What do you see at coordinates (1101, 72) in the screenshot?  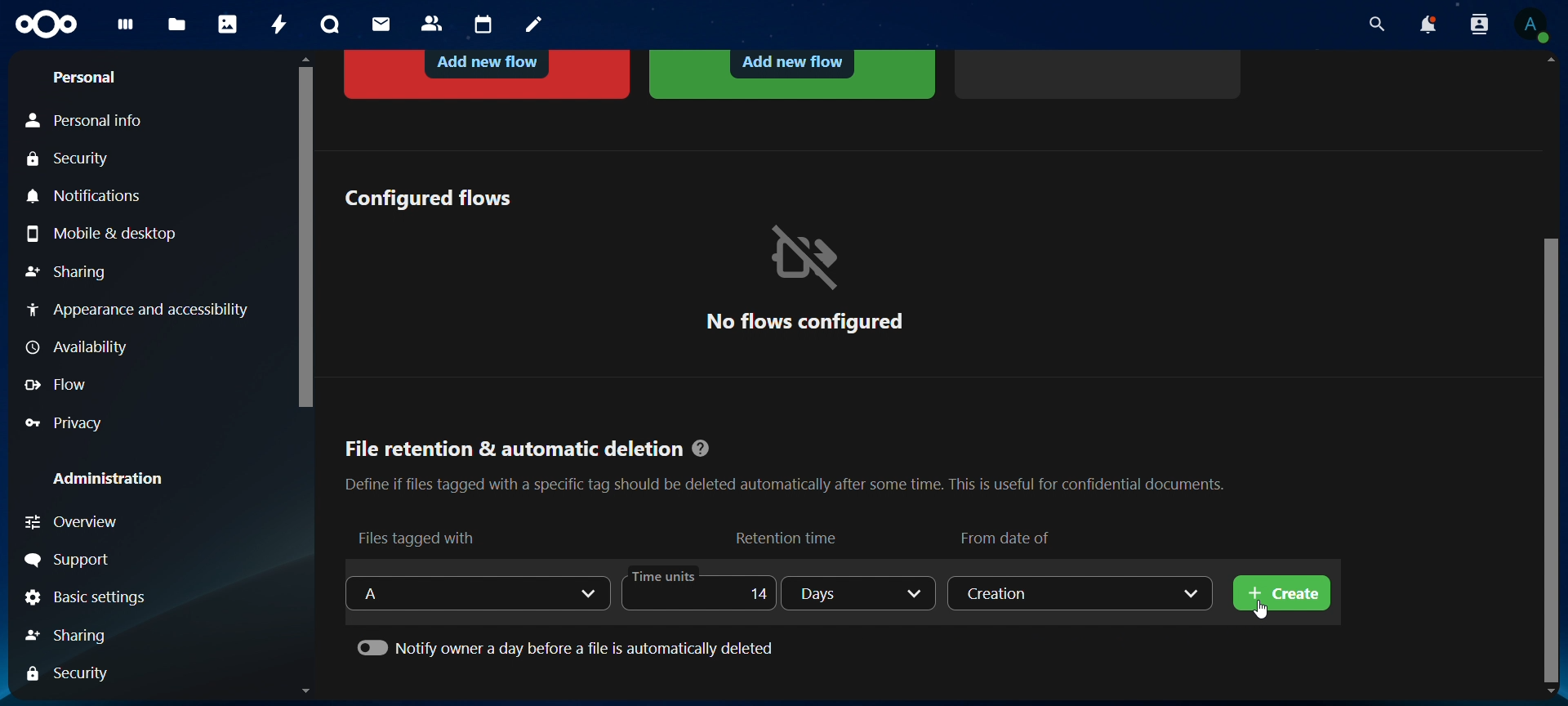 I see `add more flows` at bounding box center [1101, 72].